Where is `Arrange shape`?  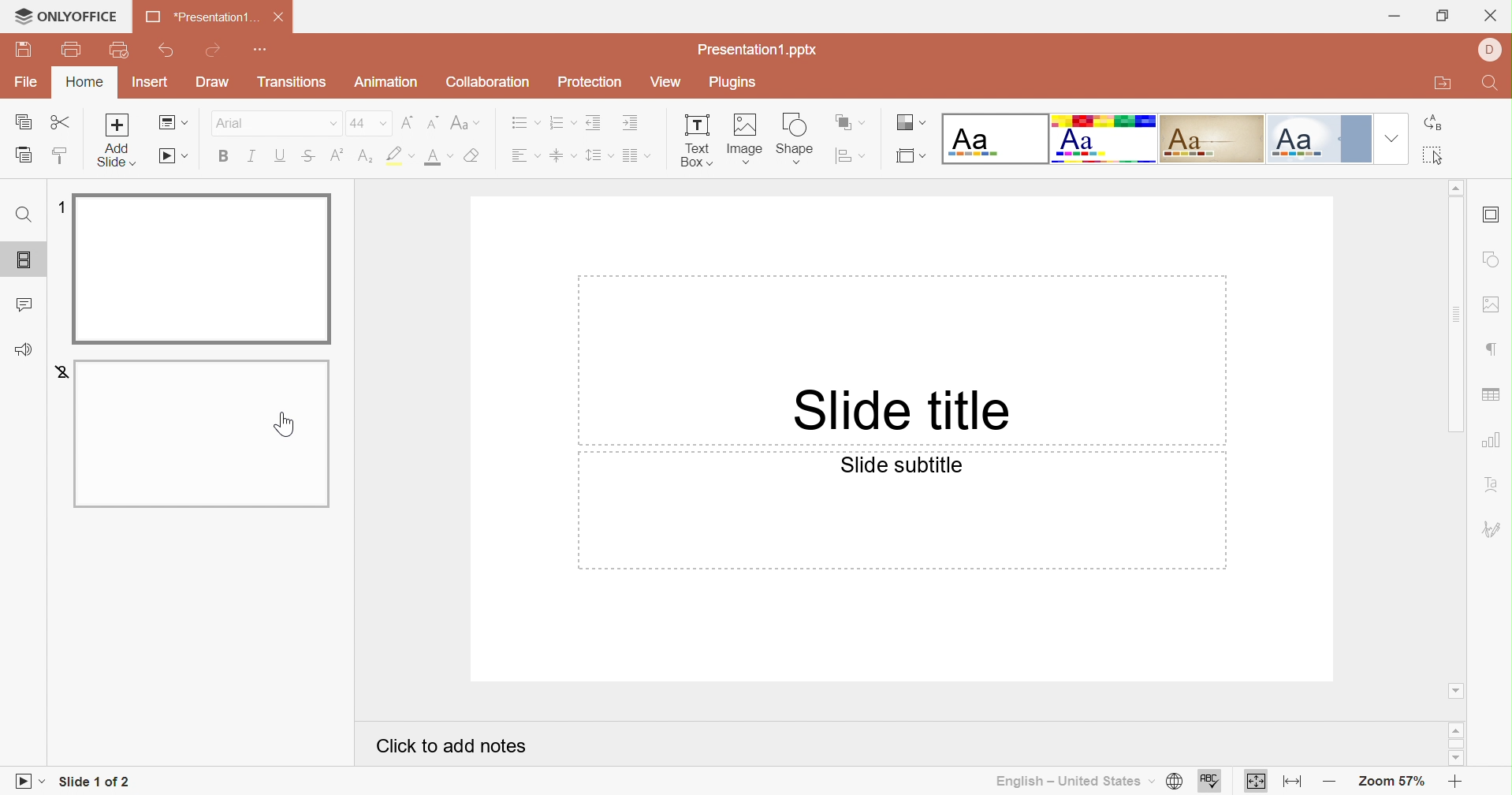 Arrange shape is located at coordinates (851, 121).